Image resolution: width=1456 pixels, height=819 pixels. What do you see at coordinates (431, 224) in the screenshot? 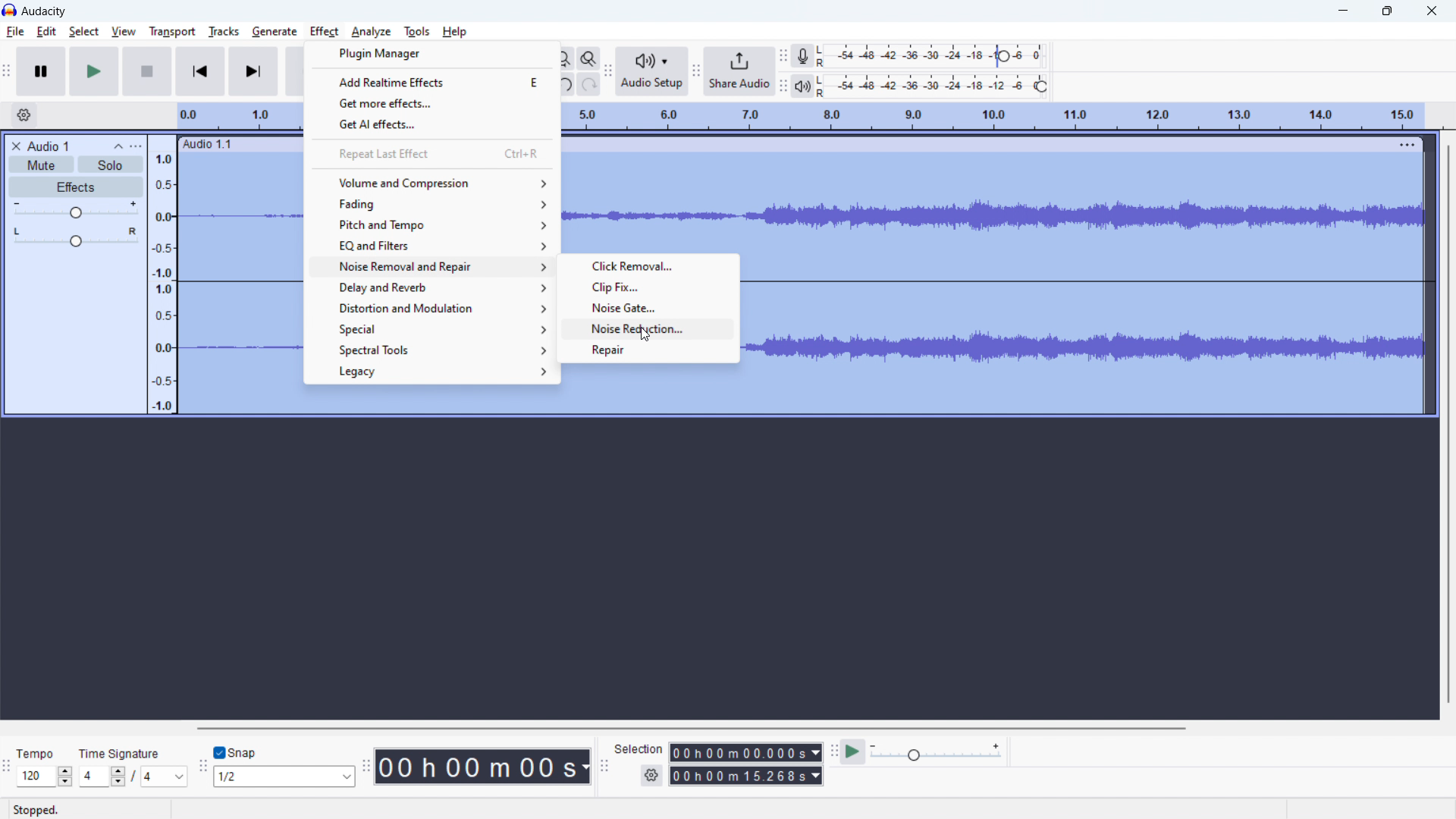
I see `pitch and tempo` at bounding box center [431, 224].